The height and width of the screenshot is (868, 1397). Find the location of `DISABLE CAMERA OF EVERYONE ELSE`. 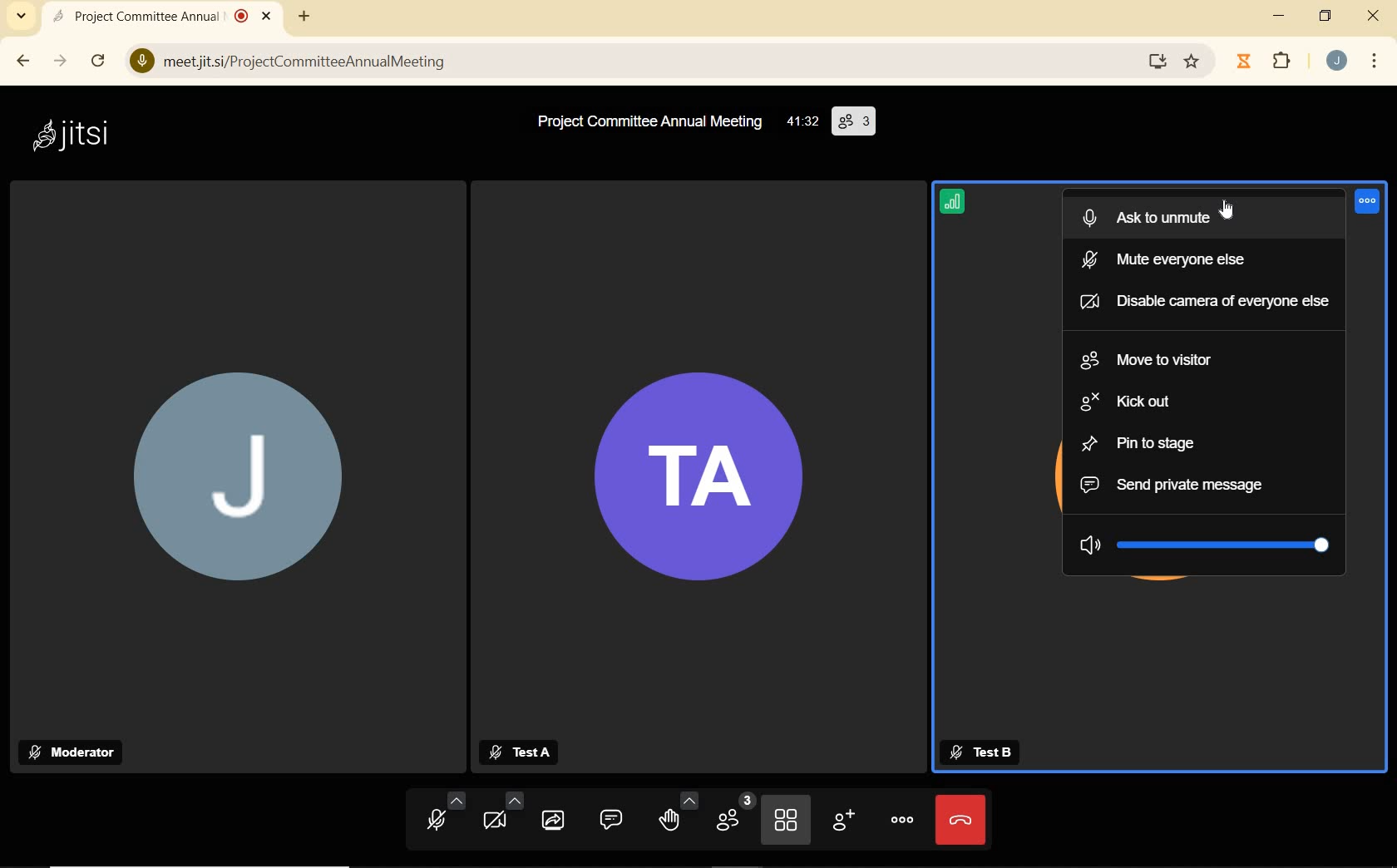

DISABLE CAMERA OF EVERYONE ELSE is located at coordinates (1204, 298).